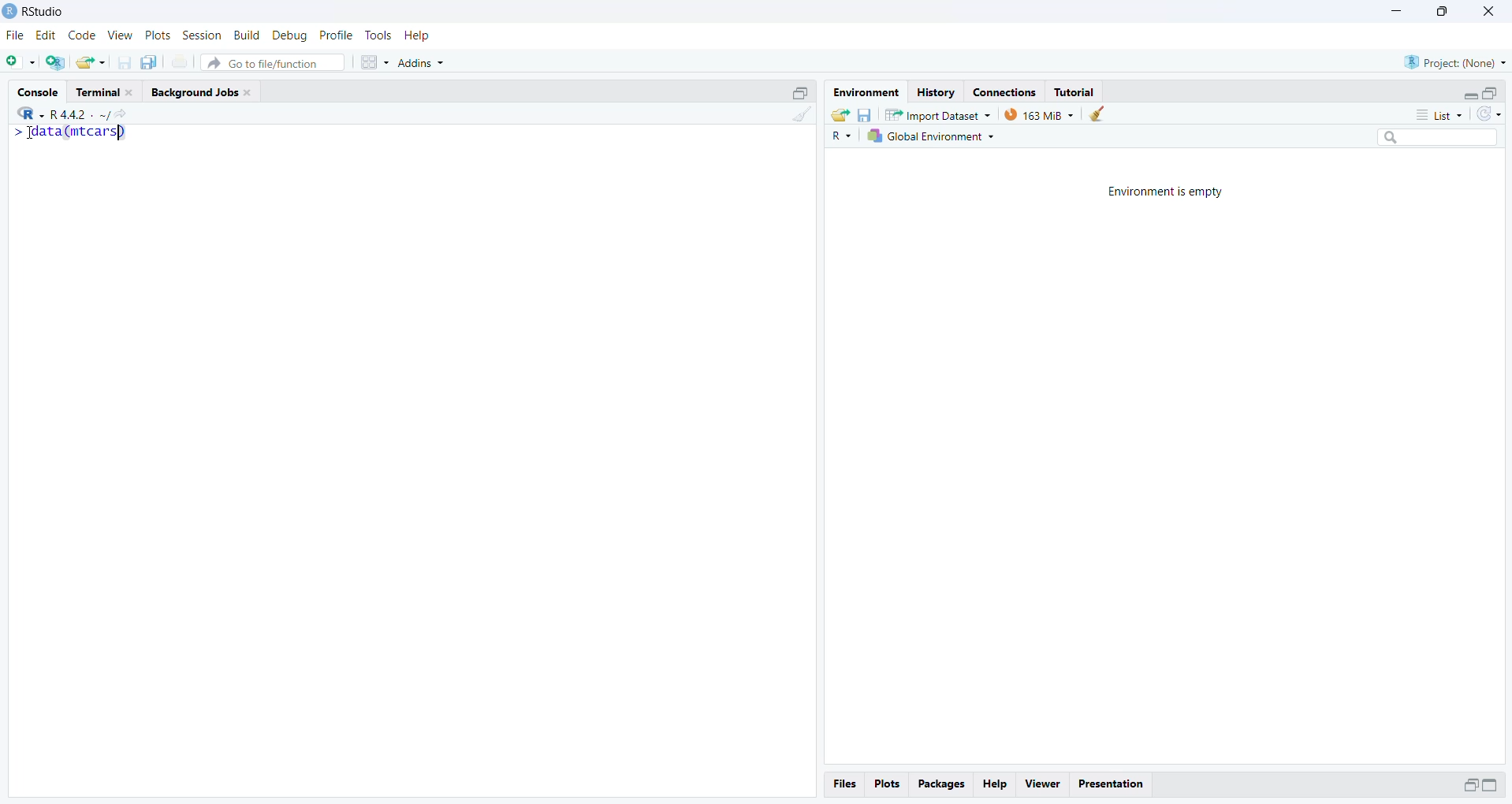 Image resolution: width=1512 pixels, height=804 pixels. What do you see at coordinates (1468, 95) in the screenshot?
I see `expand/collapse` at bounding box center [1468, 95].